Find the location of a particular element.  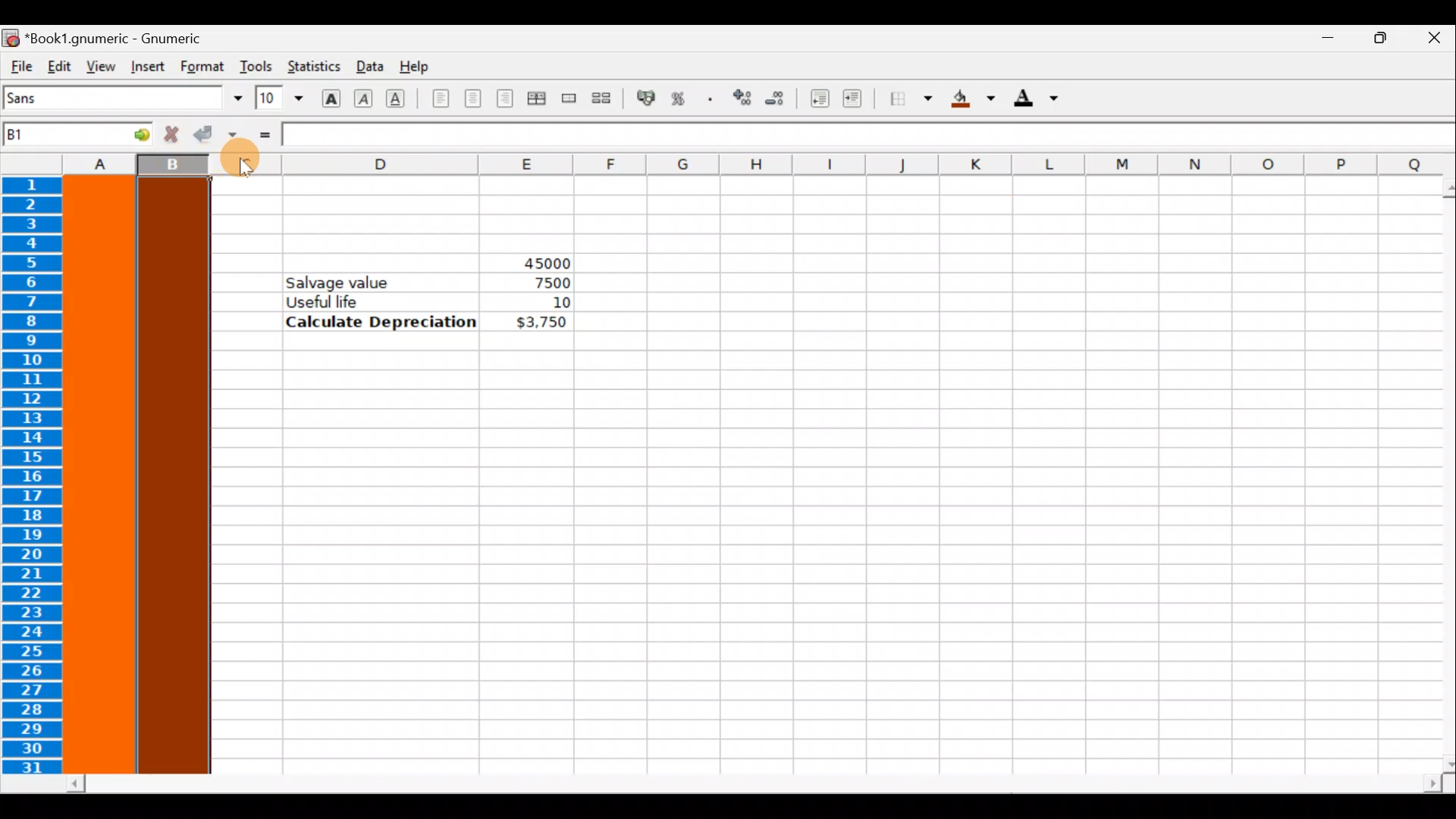

Reject change is located at coordinates (167, 135).